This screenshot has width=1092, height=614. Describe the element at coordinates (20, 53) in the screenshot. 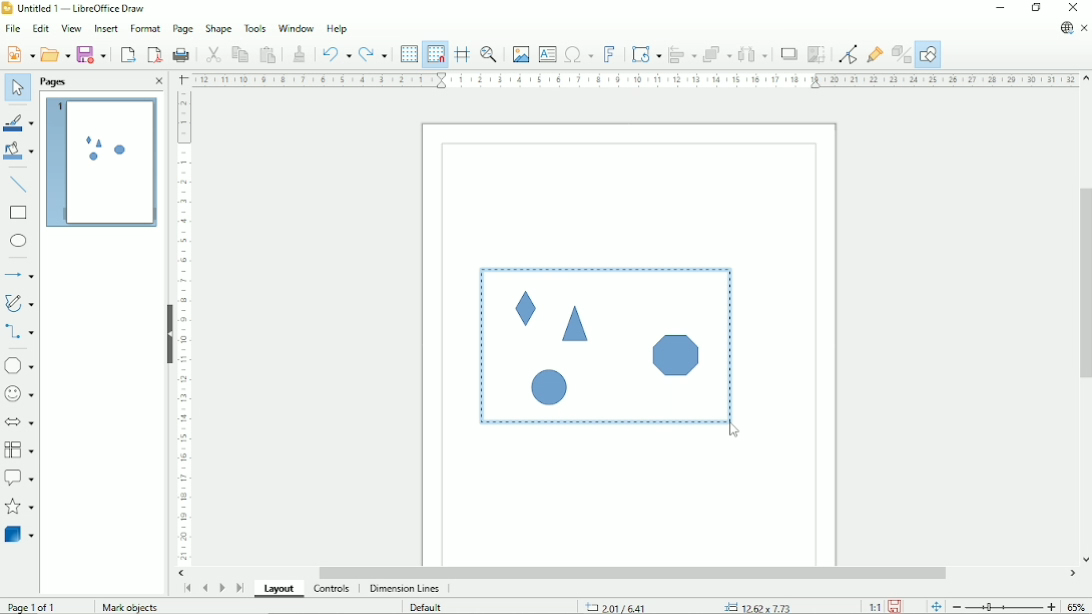

I see `New` at that location.